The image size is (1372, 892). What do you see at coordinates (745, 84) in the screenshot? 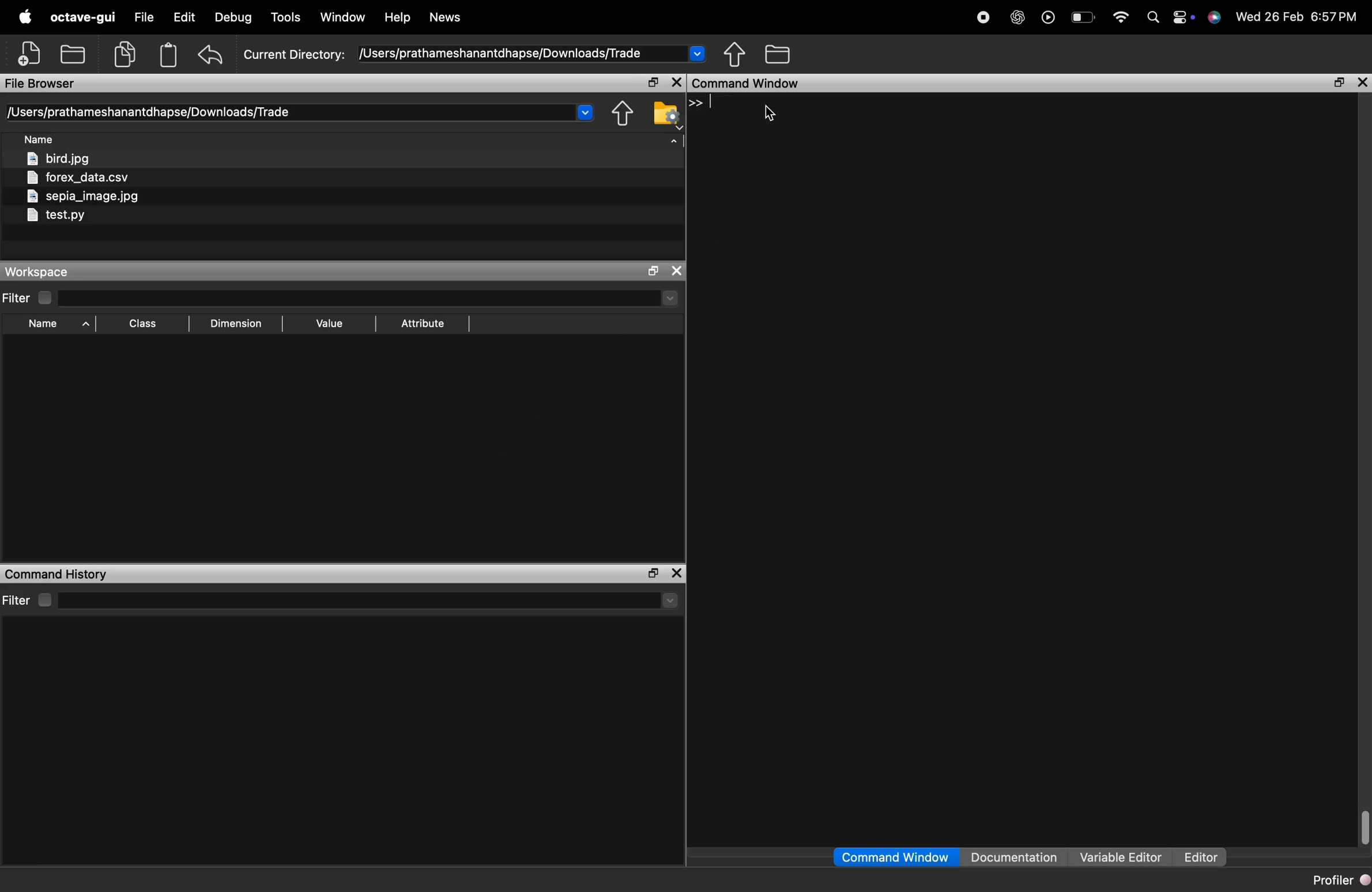
I see `command window` at bounding box center [745, 84].